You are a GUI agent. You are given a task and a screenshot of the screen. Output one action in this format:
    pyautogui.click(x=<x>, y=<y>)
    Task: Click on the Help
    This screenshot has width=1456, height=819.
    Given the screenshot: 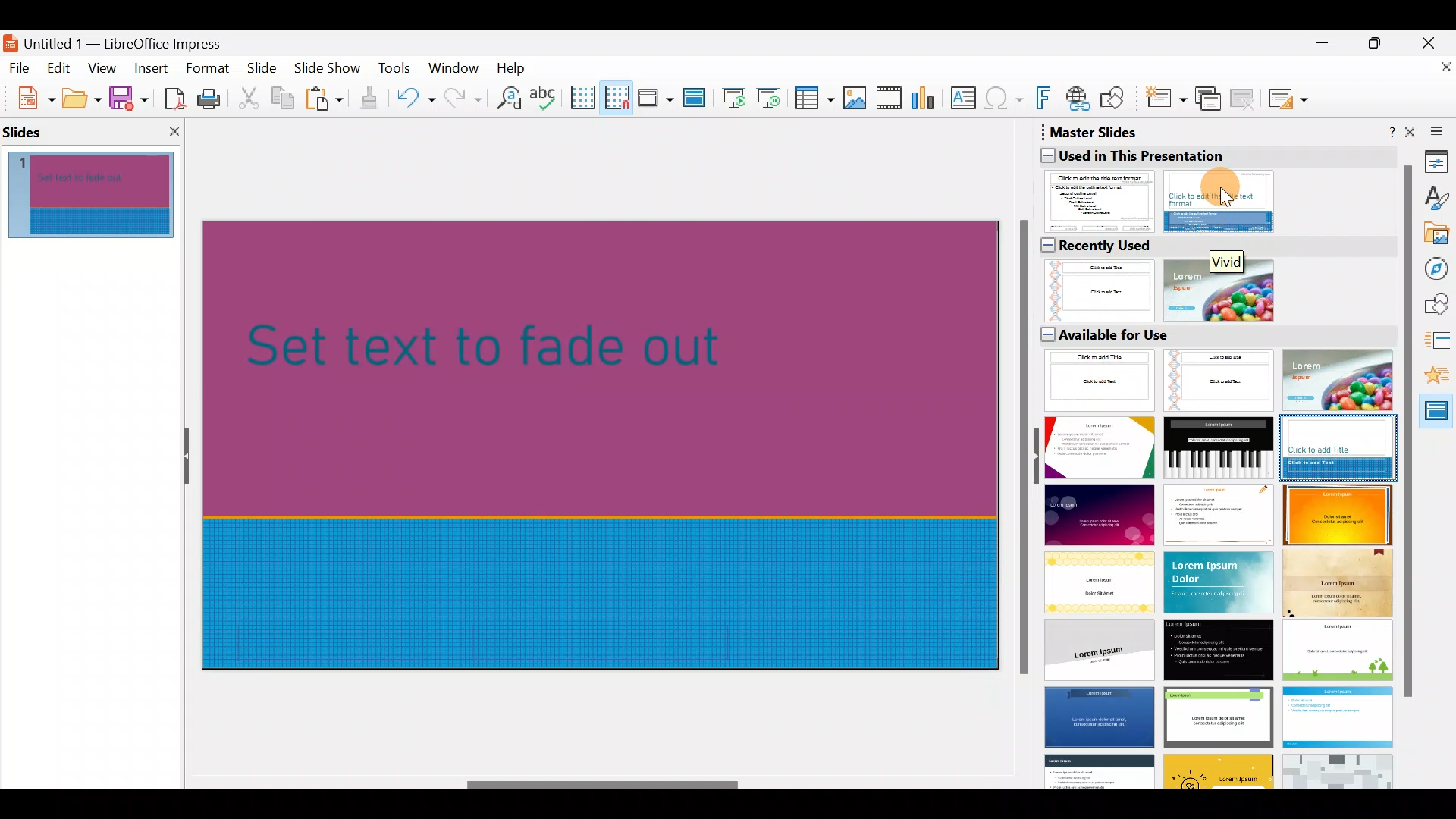 What is the action you would take?
    pyautogui.click(x=514, y=67)
    